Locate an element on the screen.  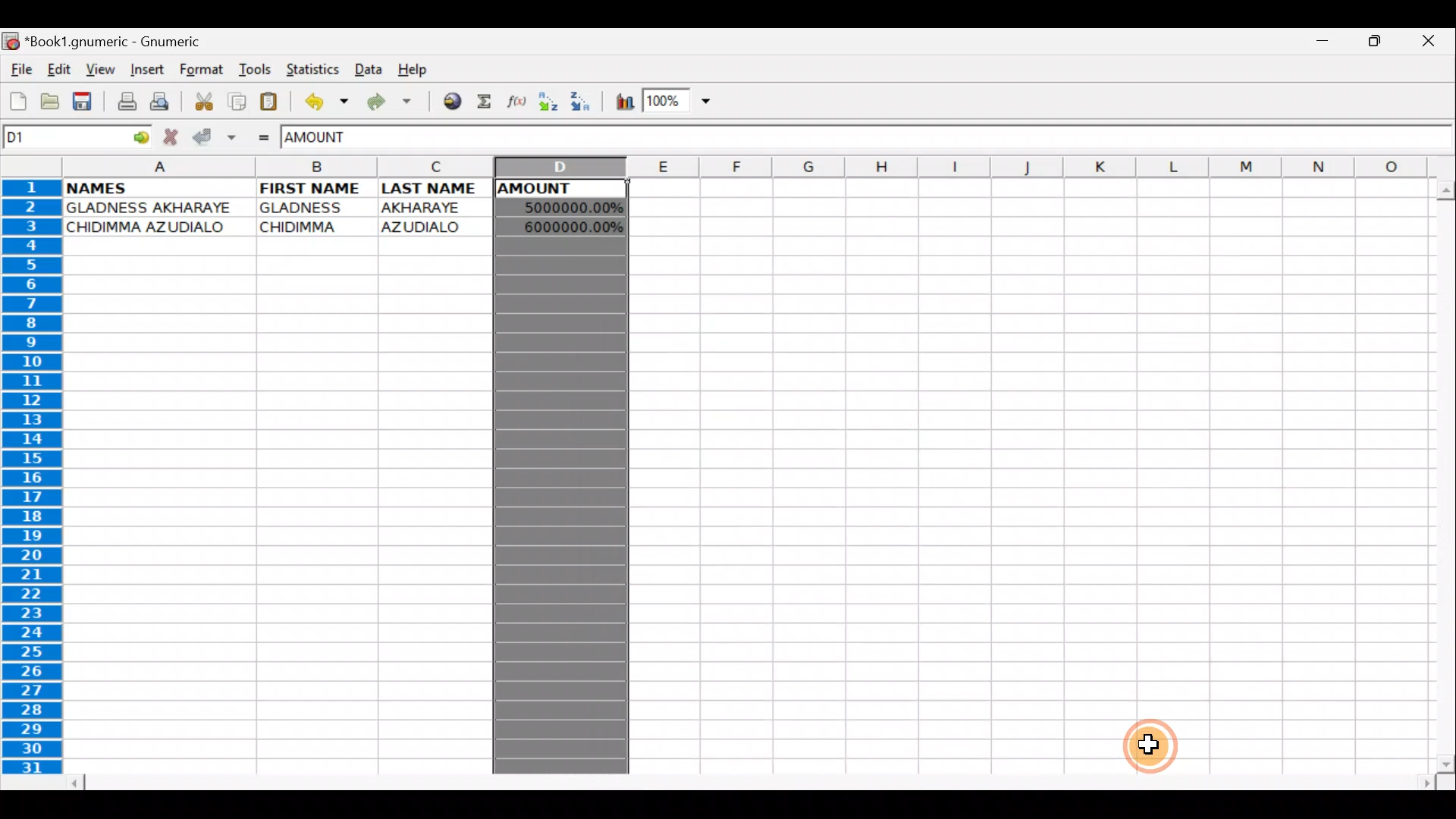
Cut selection is located at coordinates (200, 101).